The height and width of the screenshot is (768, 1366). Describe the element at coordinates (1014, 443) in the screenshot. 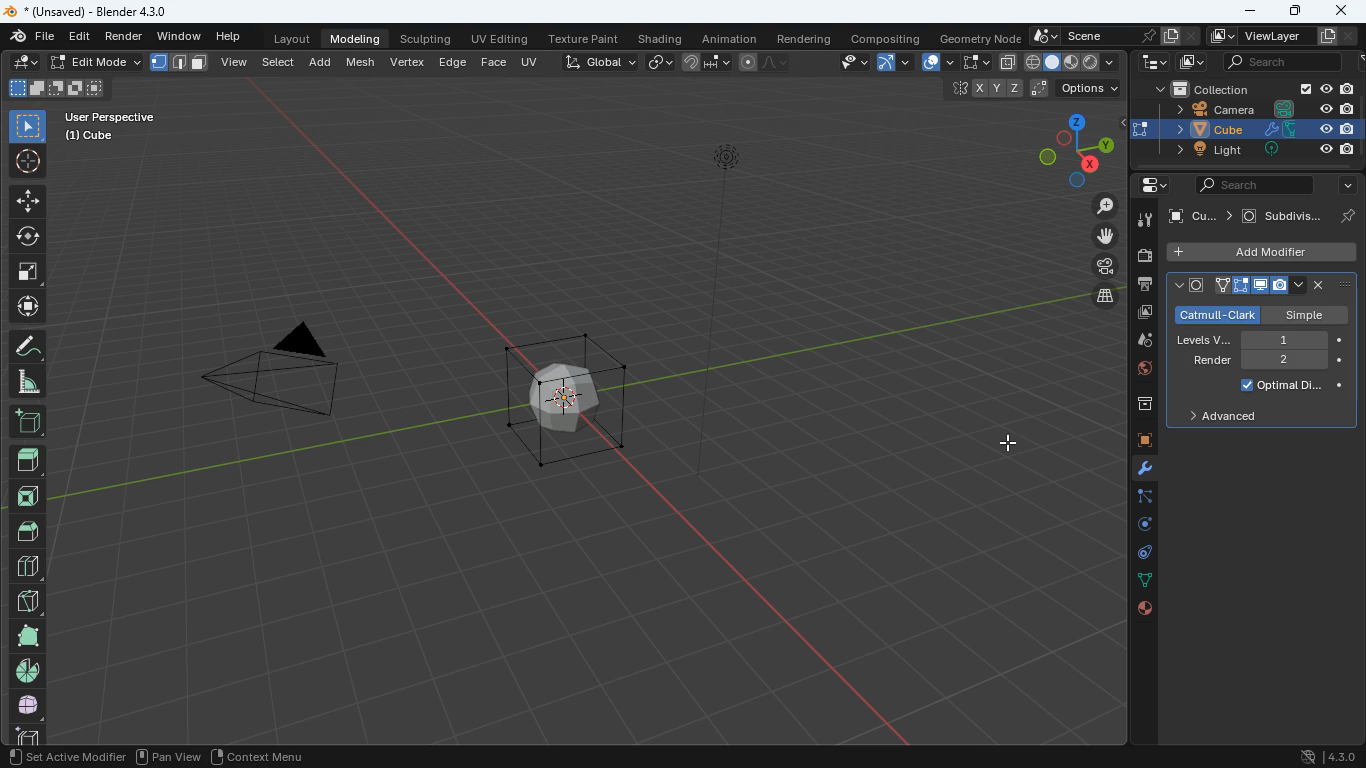

I see `cursor` at that location.